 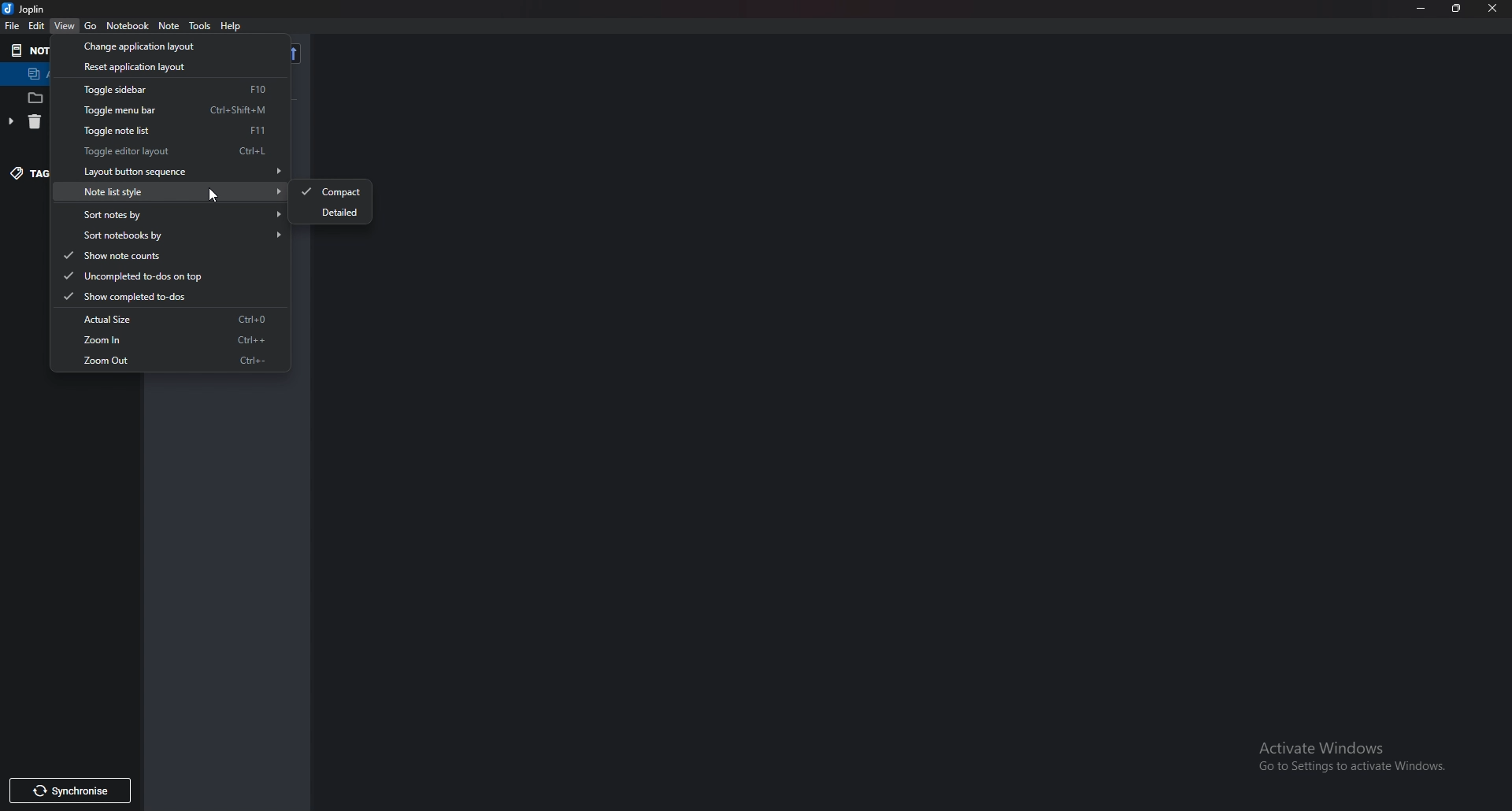 I want to click on uncompleted to-dos on top, so click(x=165, y=276).